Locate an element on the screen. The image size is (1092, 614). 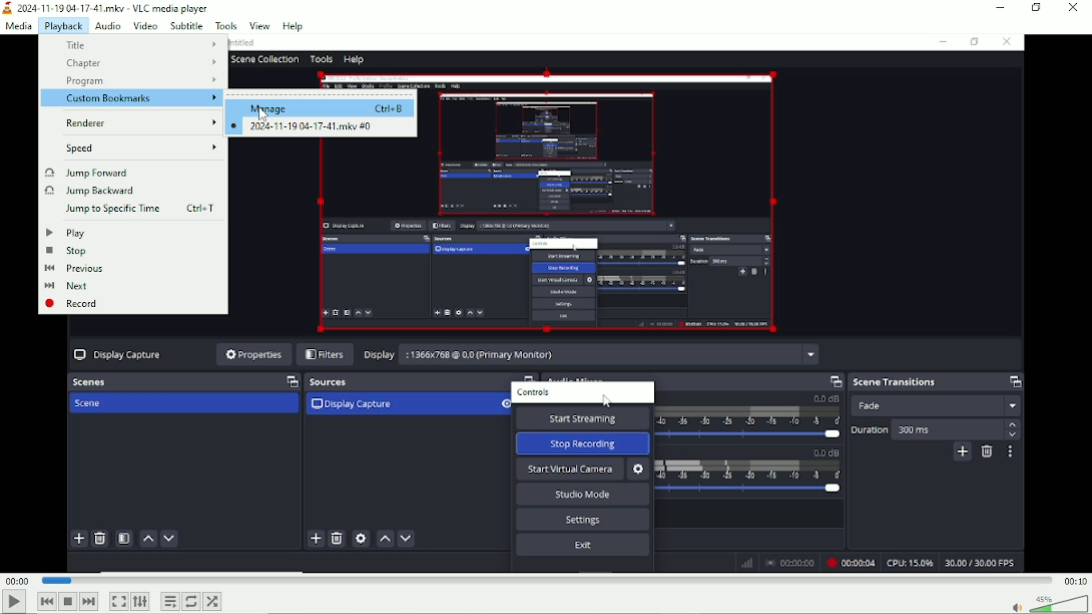
Video is located at coordinates (726, 303).